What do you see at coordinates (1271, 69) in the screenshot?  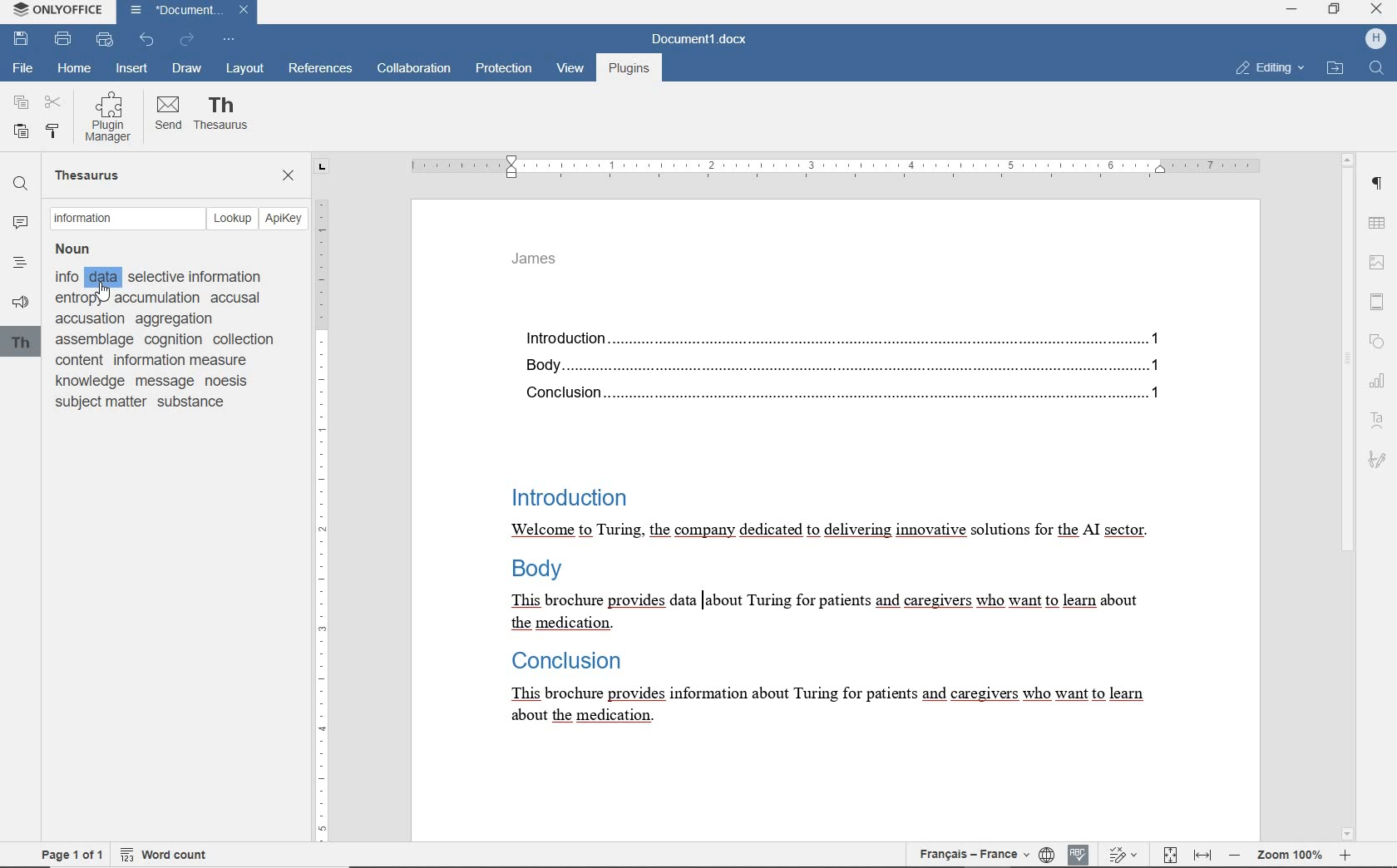 I see `EDITING` at bounding box center [1271, 69].